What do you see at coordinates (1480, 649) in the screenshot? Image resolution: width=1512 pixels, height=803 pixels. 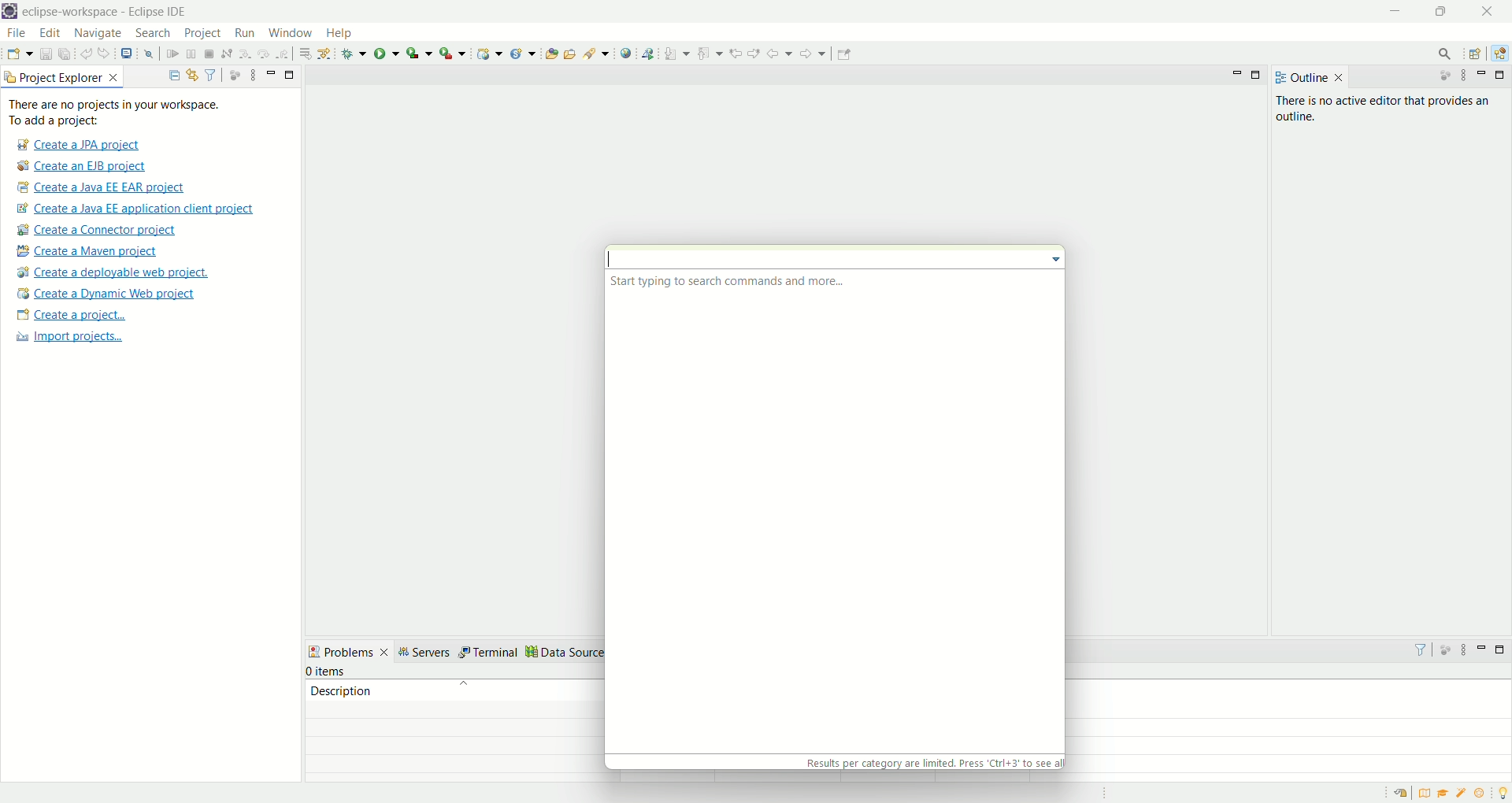 I see `minimize` at bounding box center [1480, 649].